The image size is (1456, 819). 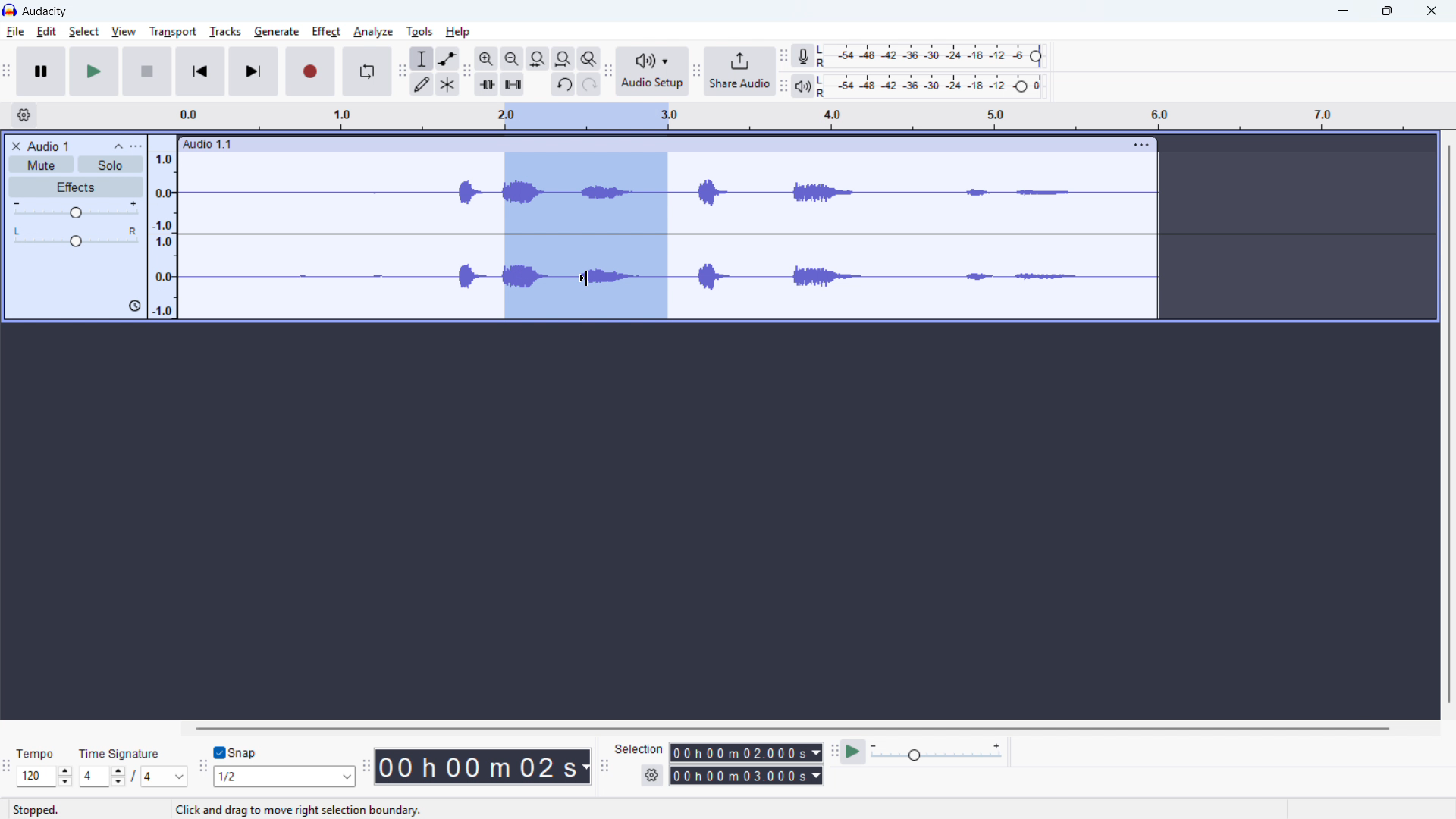 What do you see at coordinates (8, 72) in the screenshot?
I see `Transport toolbar` at bounding box center [8, 72].